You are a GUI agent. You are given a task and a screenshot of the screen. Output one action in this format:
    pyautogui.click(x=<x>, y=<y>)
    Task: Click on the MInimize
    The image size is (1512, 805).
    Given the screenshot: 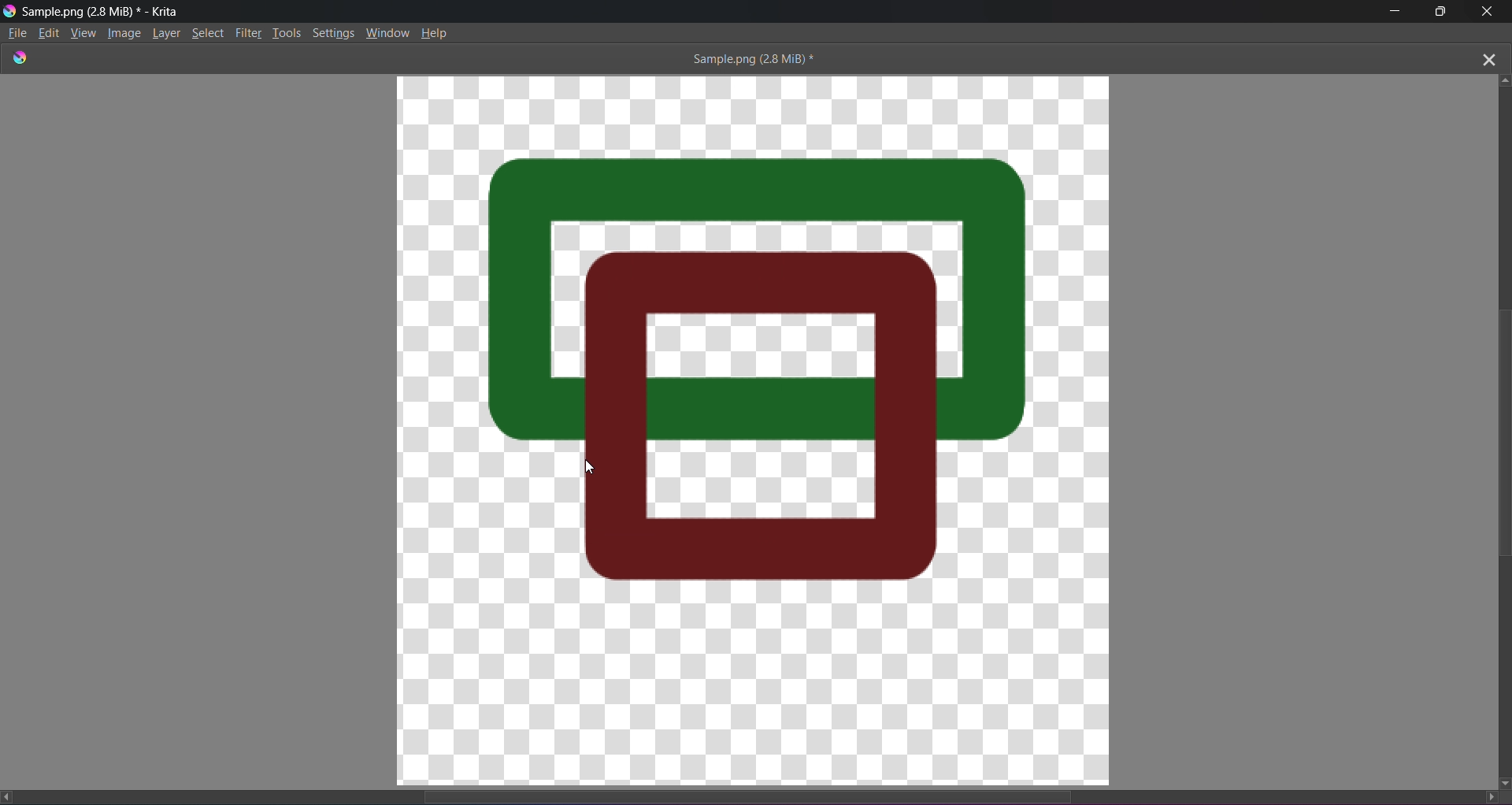 What is the action you would take?
    pyautogui.click(x=1392, y=12)
    